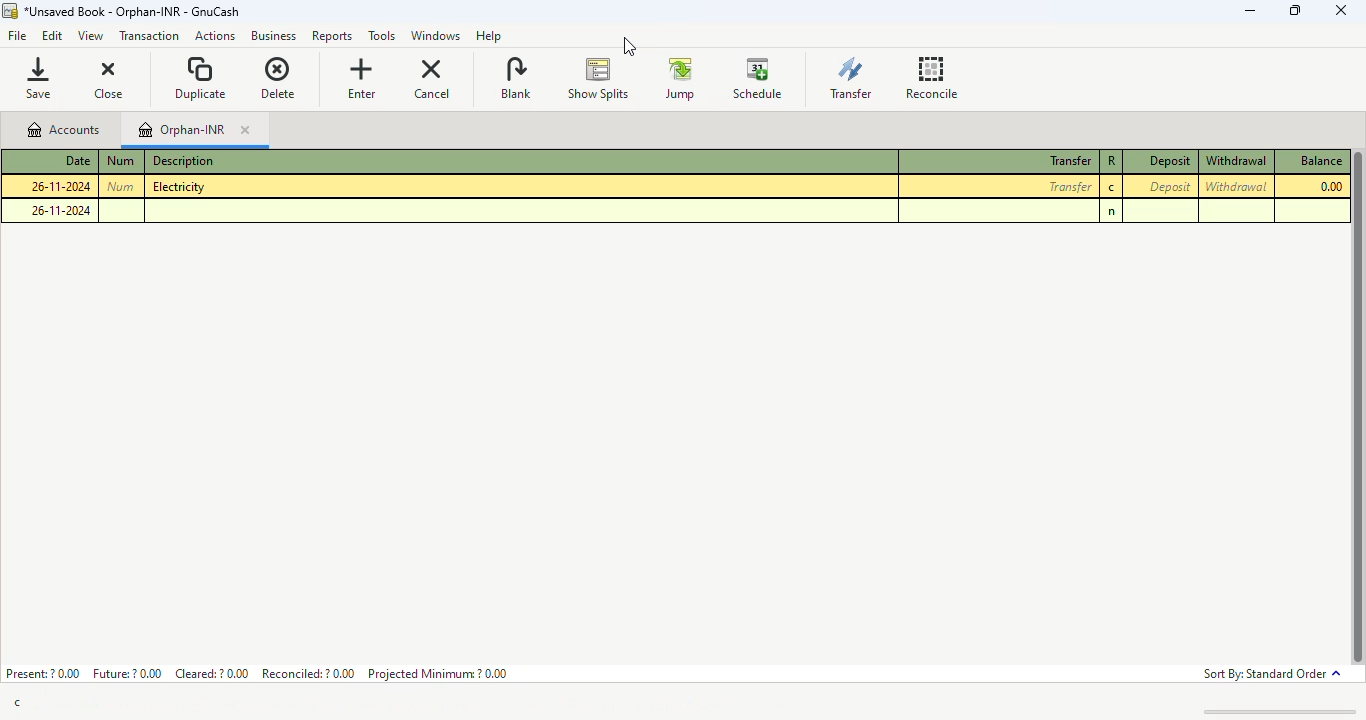  I want to click on num, so click(120, 186).